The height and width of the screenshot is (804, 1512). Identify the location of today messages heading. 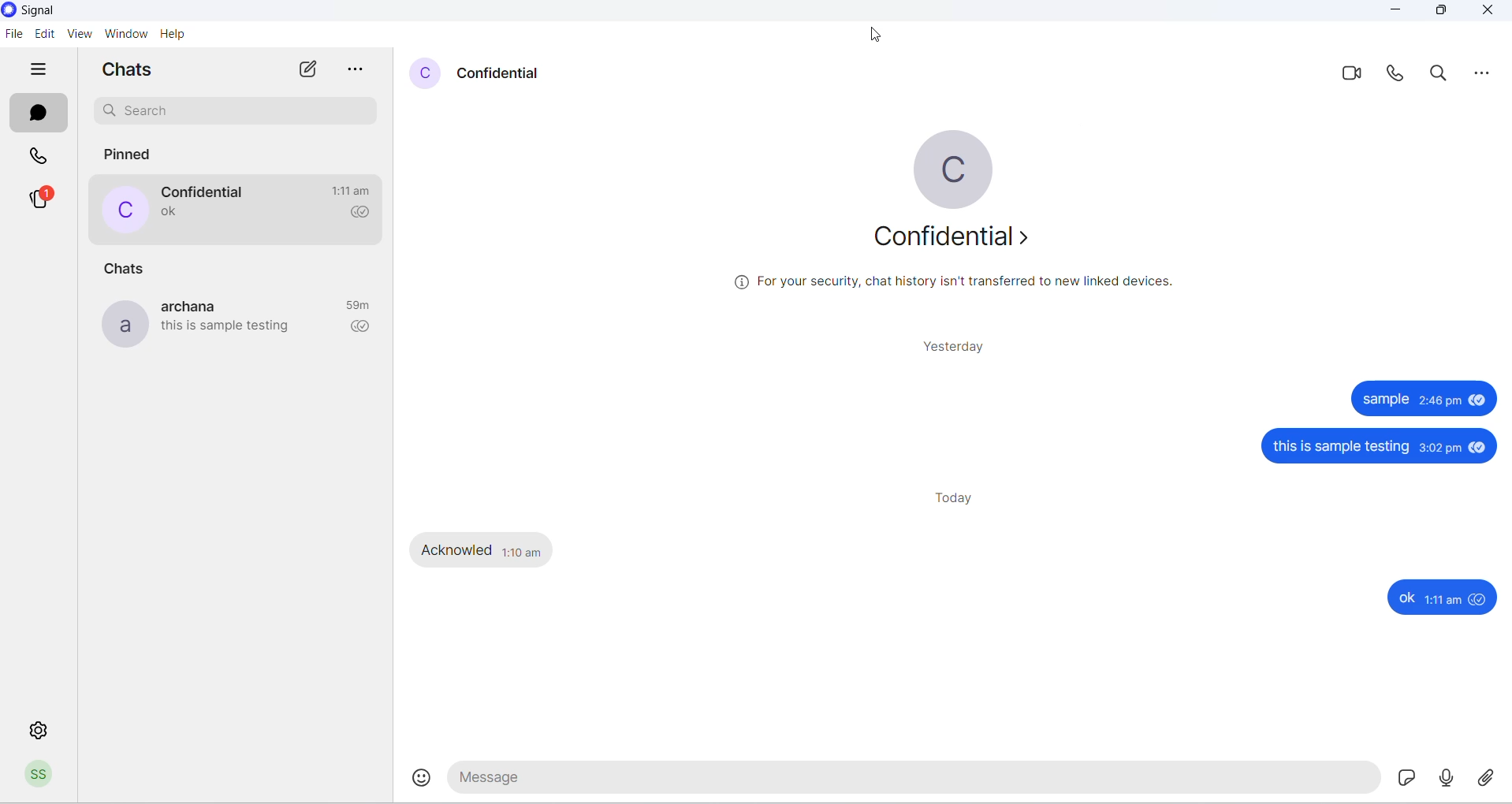
(959, 499).